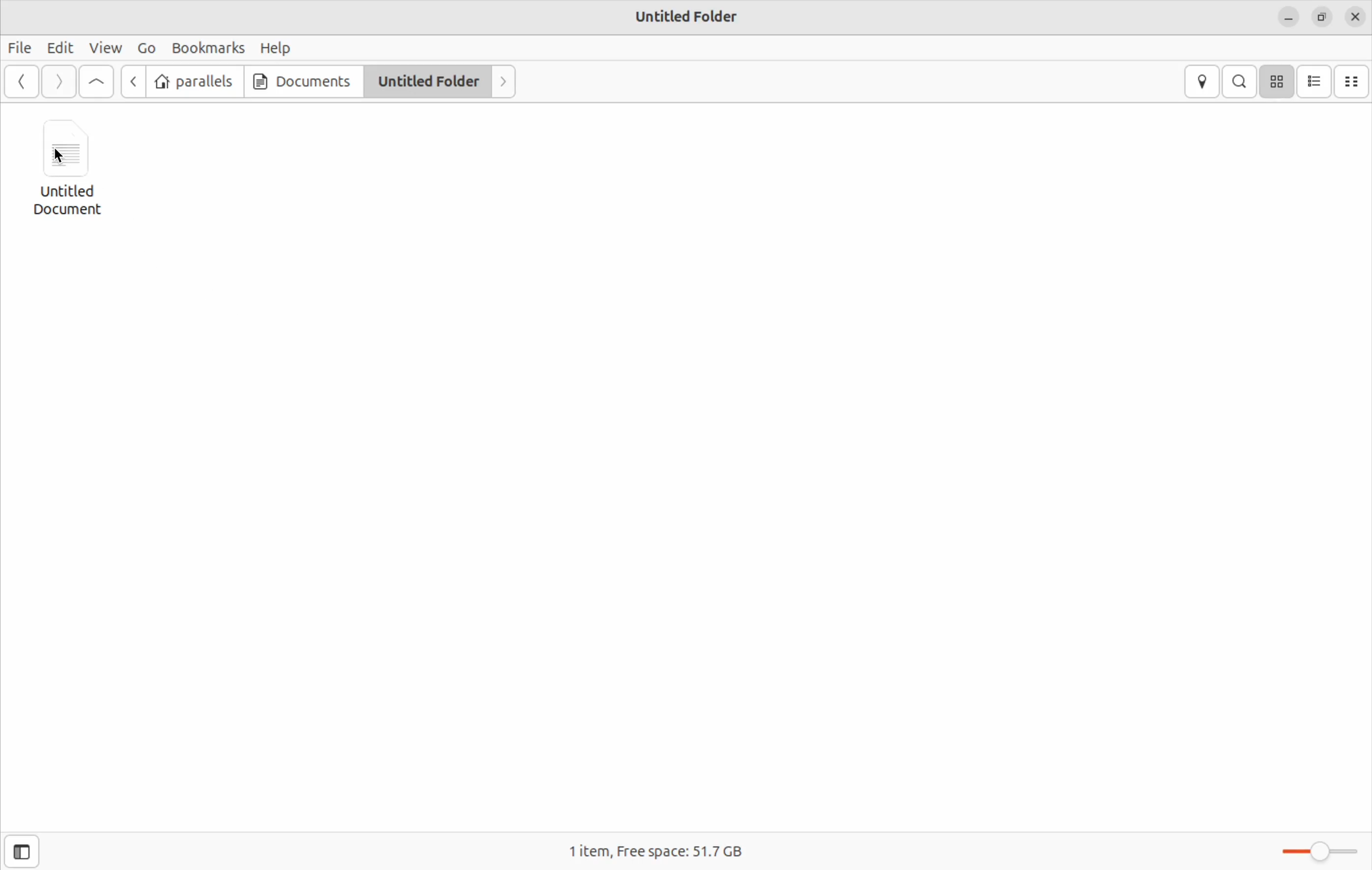  What do you see at coordinates (1279, 81) in the screenshot?
I see `icon view` at bounding box center [1279, 81].